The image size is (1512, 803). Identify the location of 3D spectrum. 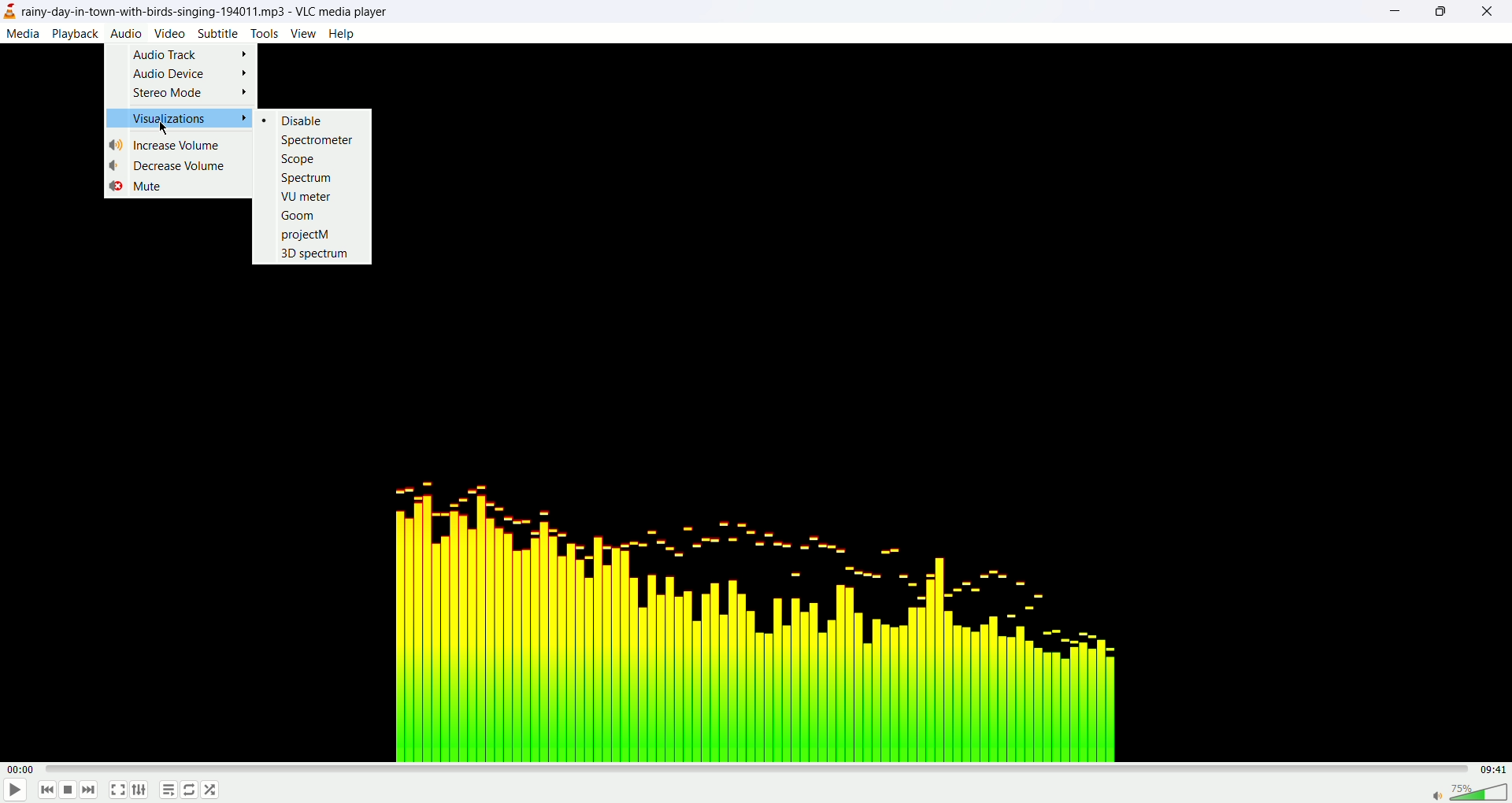
(314, 254).